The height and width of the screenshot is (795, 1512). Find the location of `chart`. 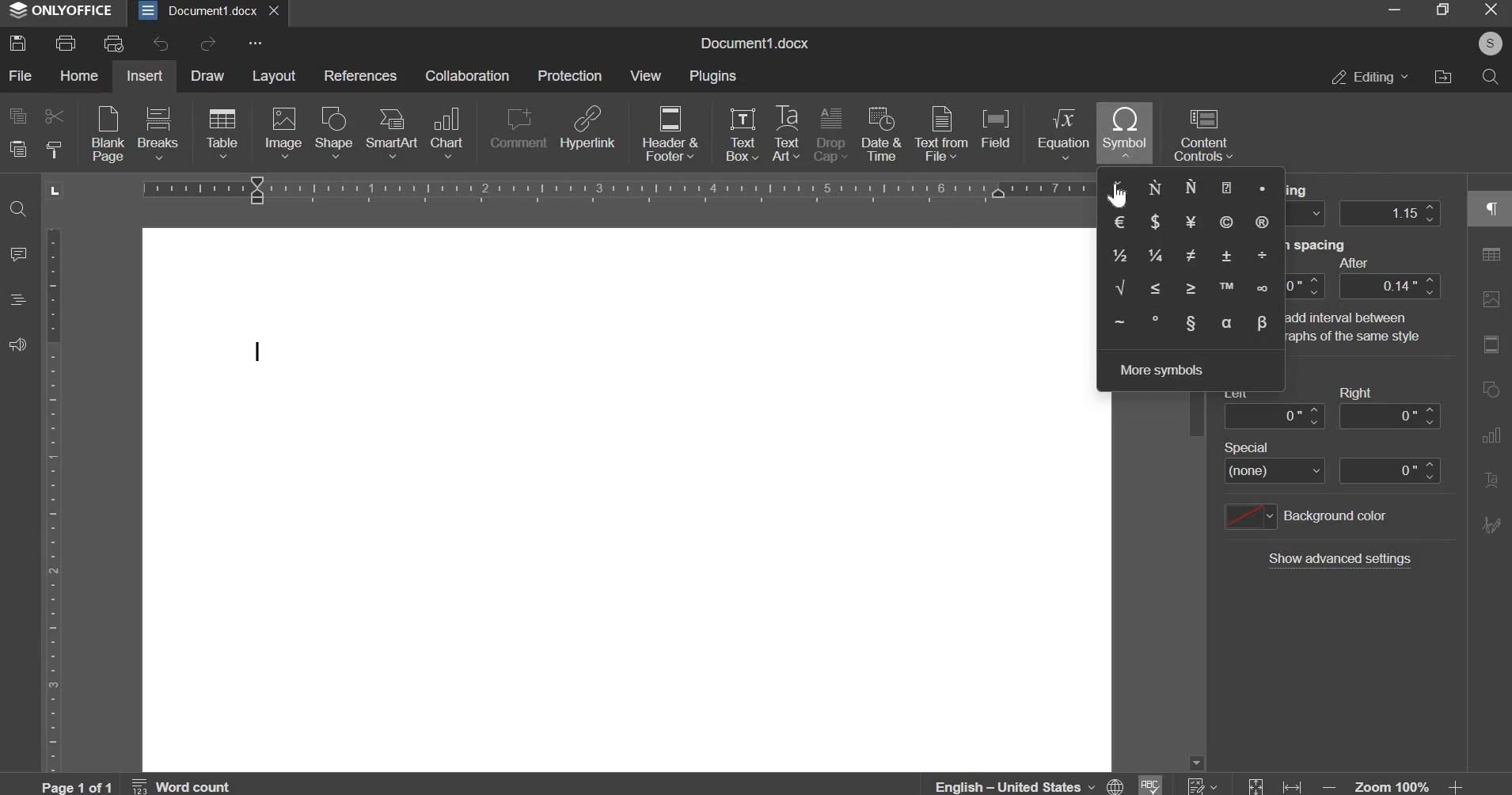

chart is located at coordinates (447, 132).